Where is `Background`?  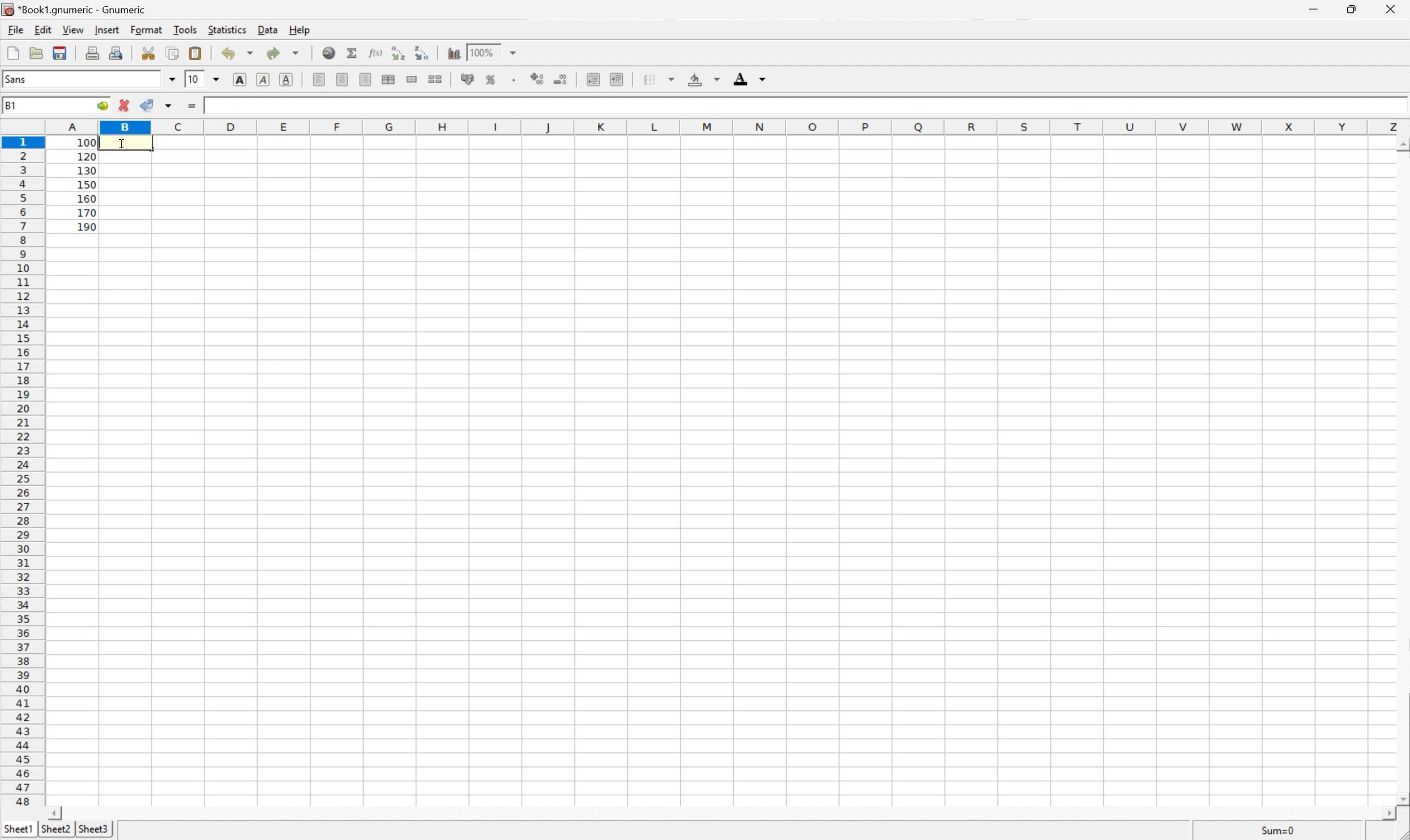 Background is located at coordinates (700, 79).